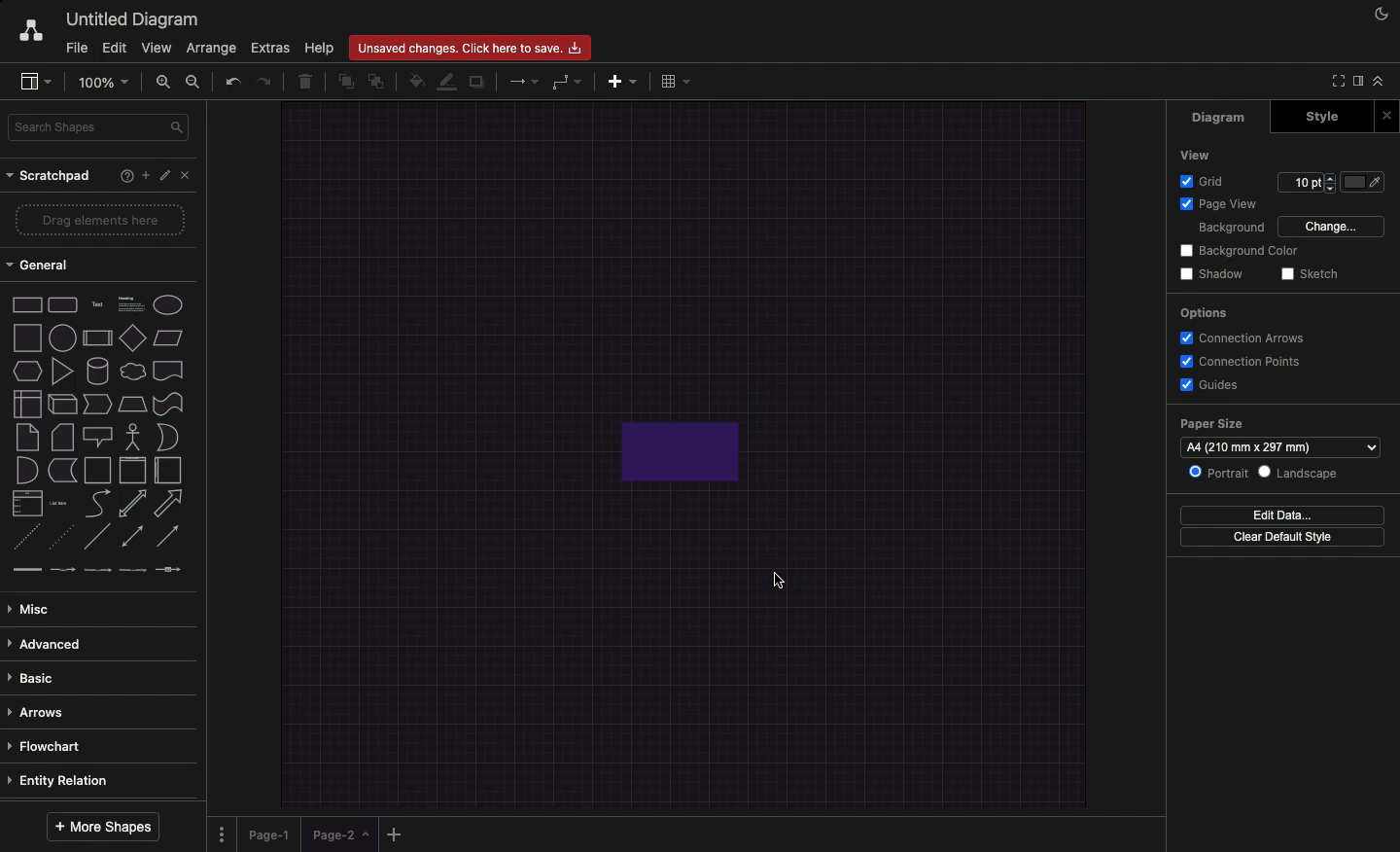  Describe the element at coordinates (687, 448) in the screenshot. I see `Purple rectangle` at that location.